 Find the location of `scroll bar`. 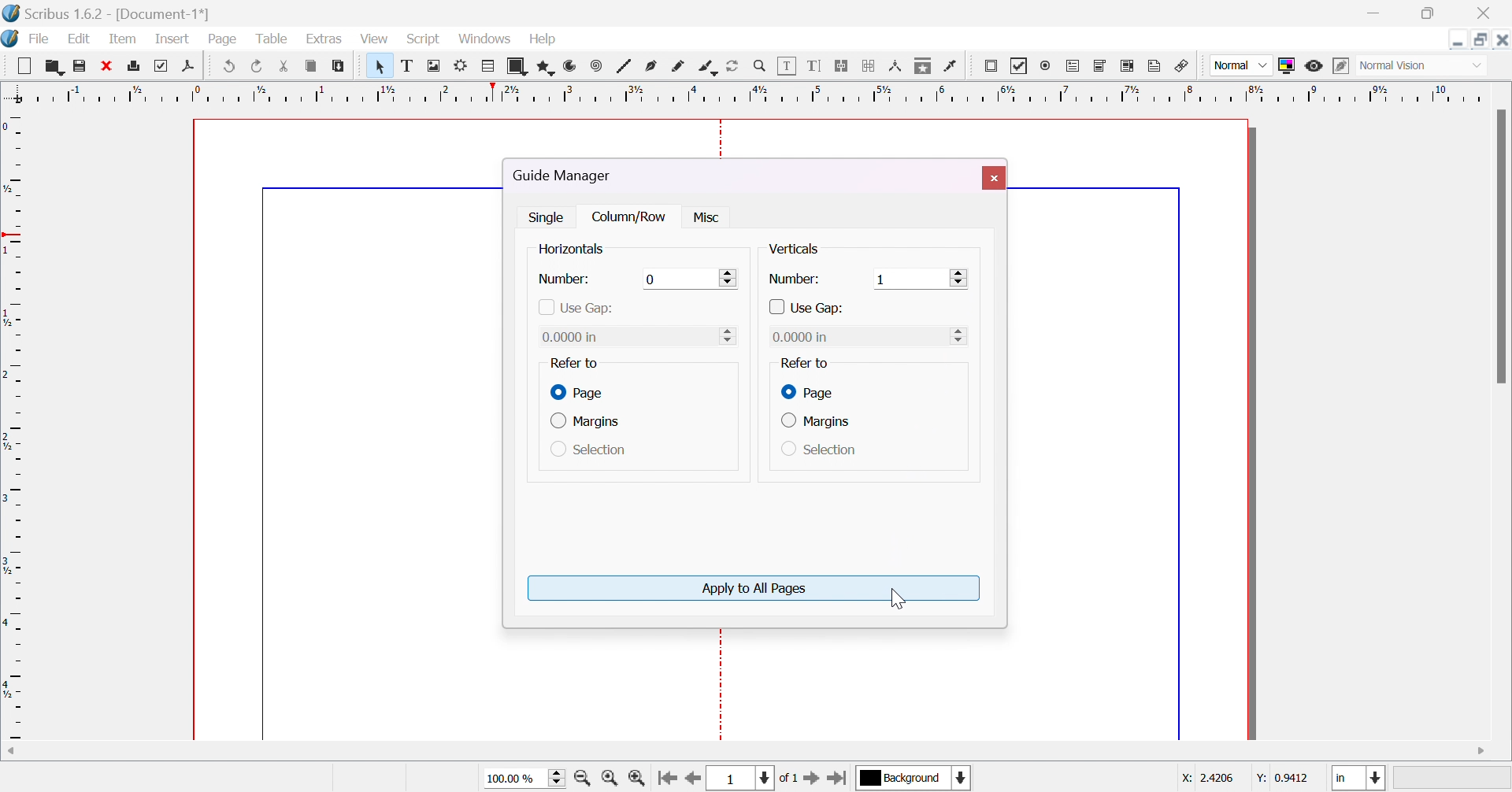

scroll bar is located at coordinates (1503, 246).